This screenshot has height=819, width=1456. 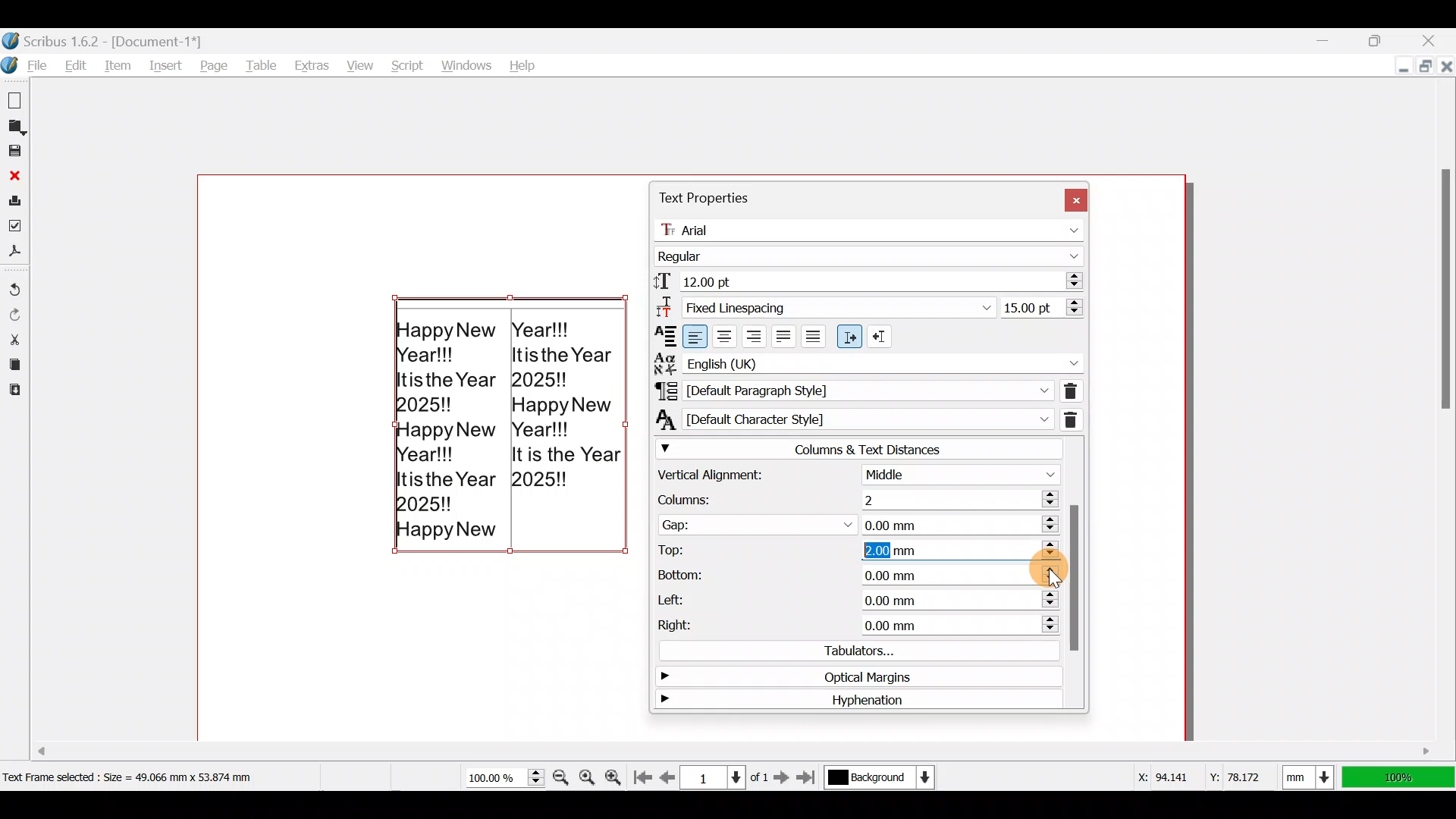 I want to click on Remove direct paragraph formatting, so click(x=1070, y=389).